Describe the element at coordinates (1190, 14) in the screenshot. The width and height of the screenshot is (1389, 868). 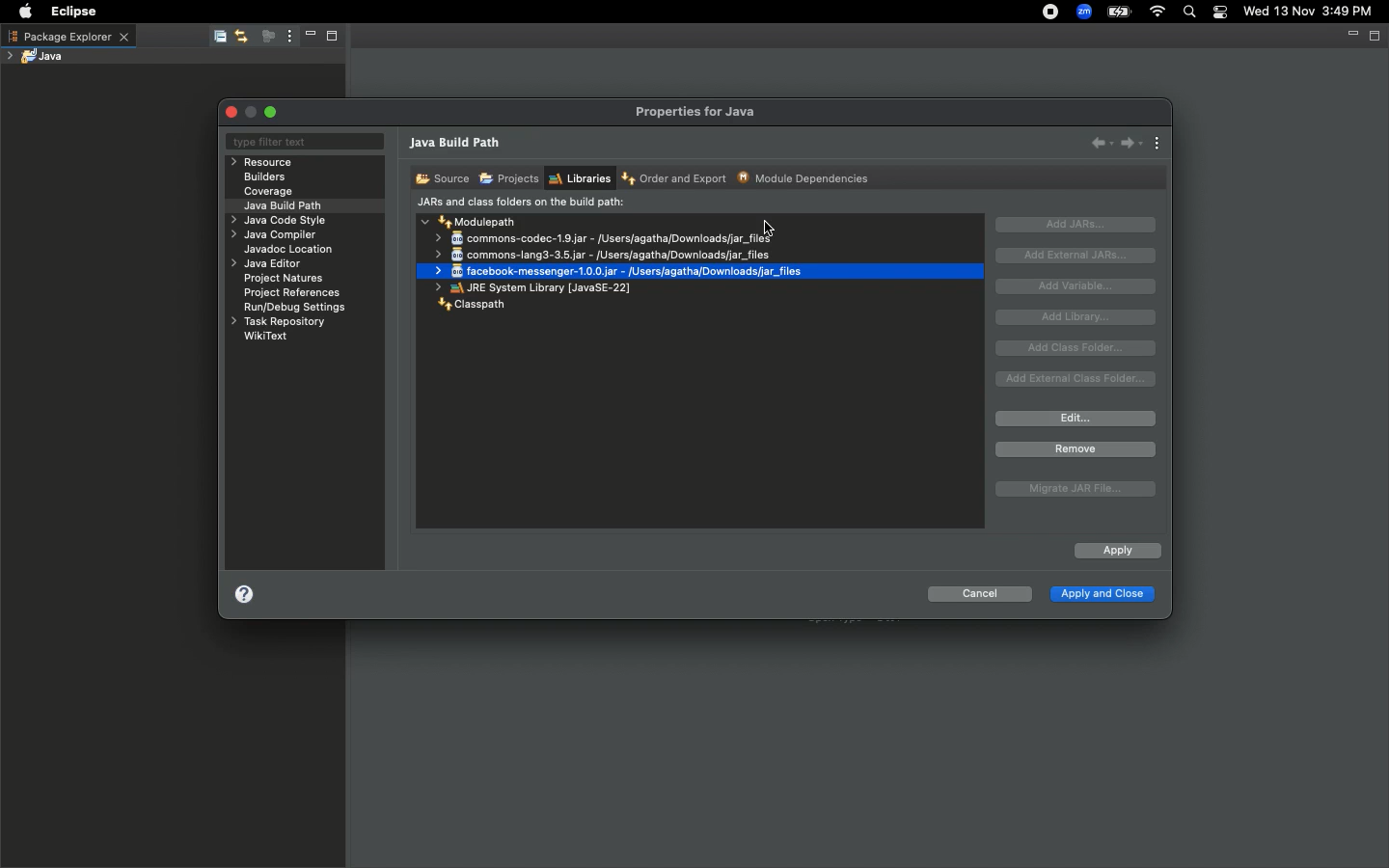
I see `Search` at that location.